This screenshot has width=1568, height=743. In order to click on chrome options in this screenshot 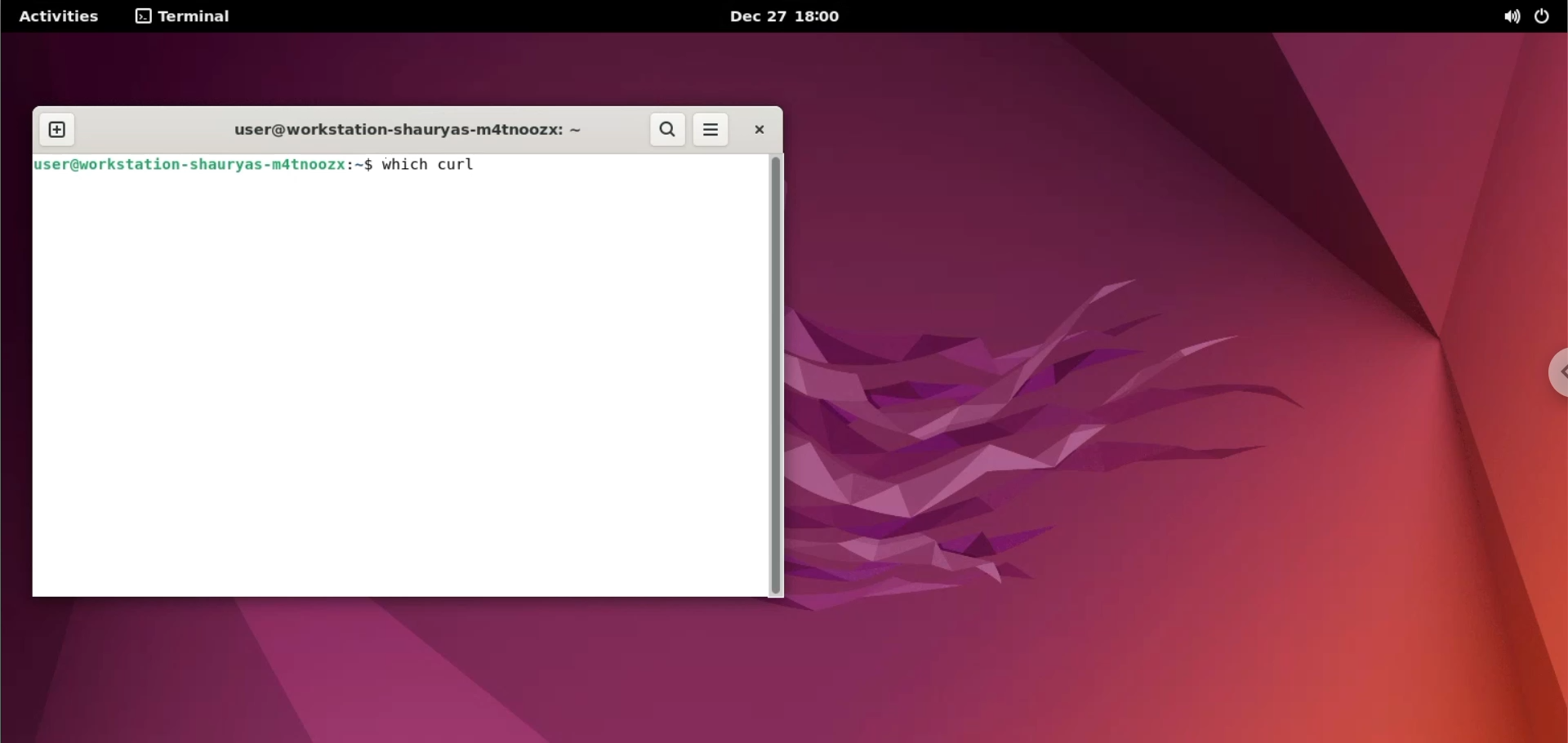, I will do `click(1552, 376)`.